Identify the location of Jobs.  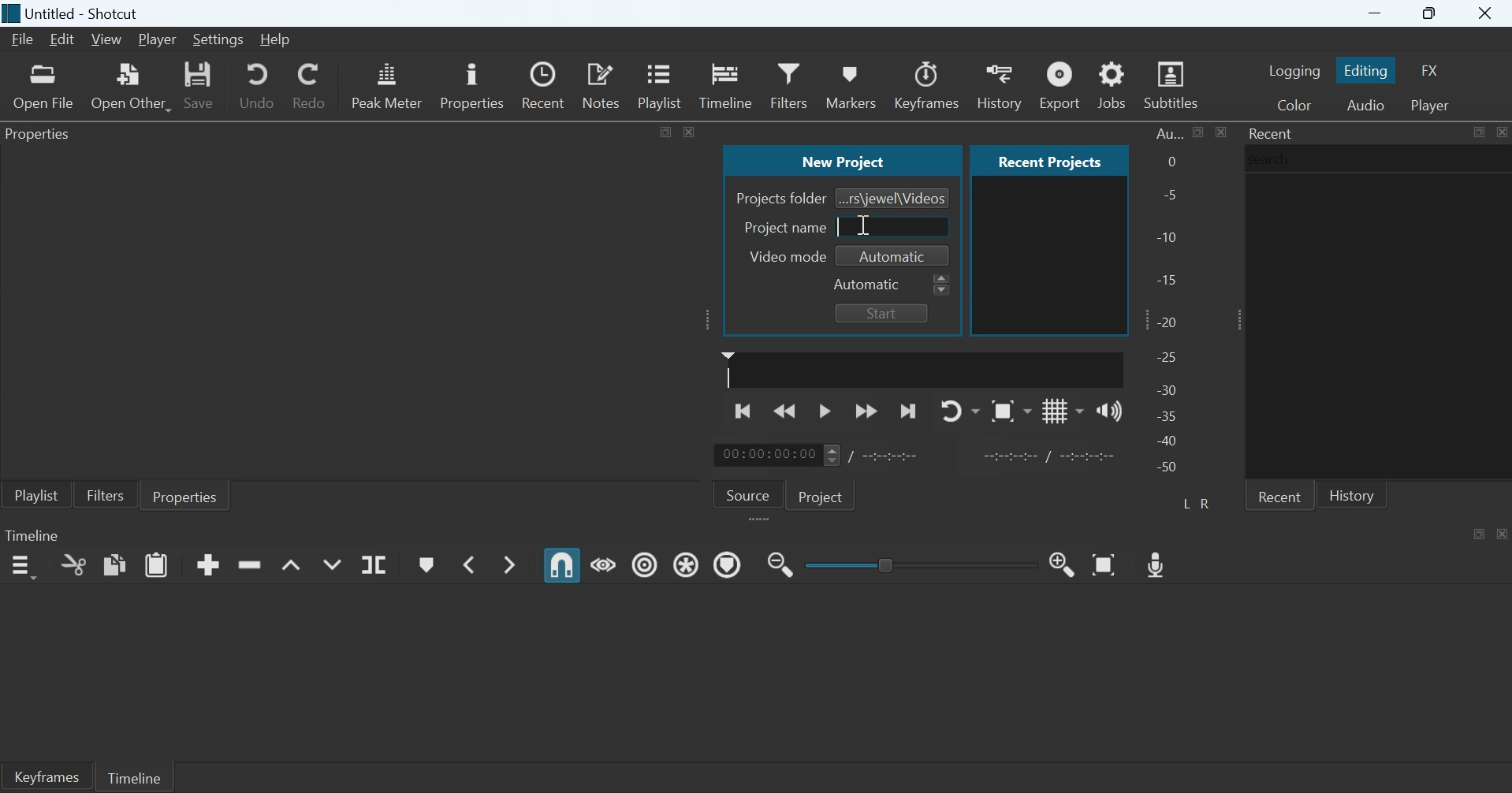
(1112, 84).